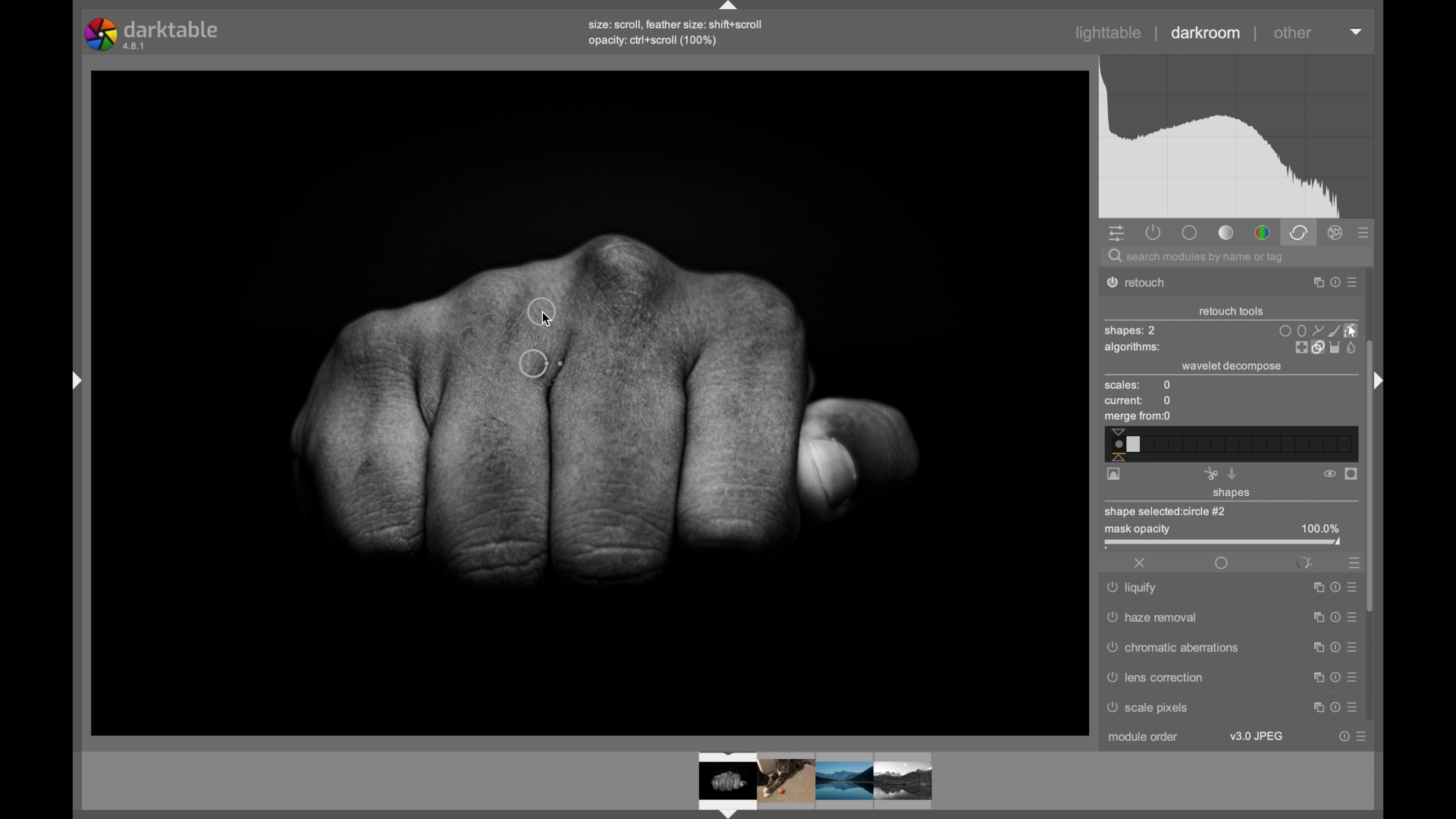 This screenshot has width=1456, height=819. What do you see at coordinates (591, 400) in the screenshot?
I see `photo` at bounding box center [591, 400].